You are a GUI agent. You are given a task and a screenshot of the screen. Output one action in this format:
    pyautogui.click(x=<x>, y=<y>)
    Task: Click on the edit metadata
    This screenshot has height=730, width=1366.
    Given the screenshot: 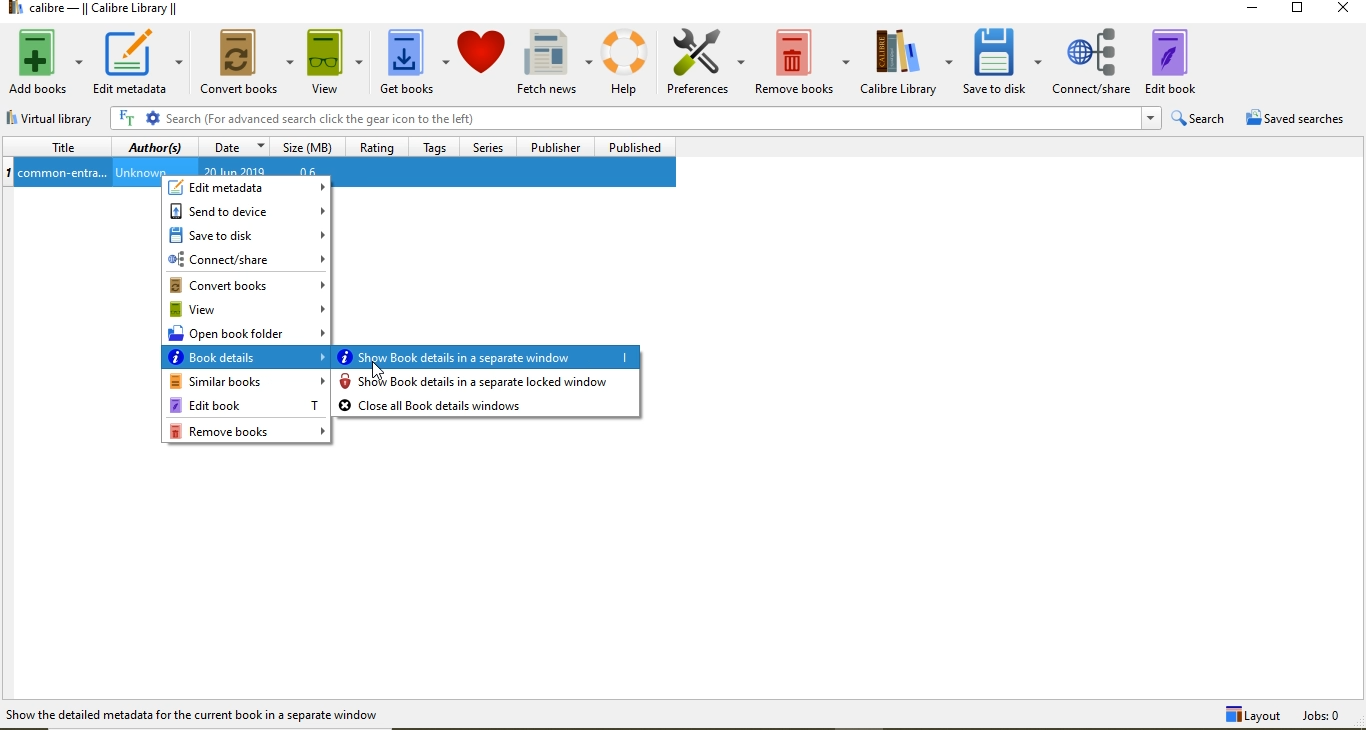 What is the action you would take?
    pyautogui.click(x=136, y=62)
    